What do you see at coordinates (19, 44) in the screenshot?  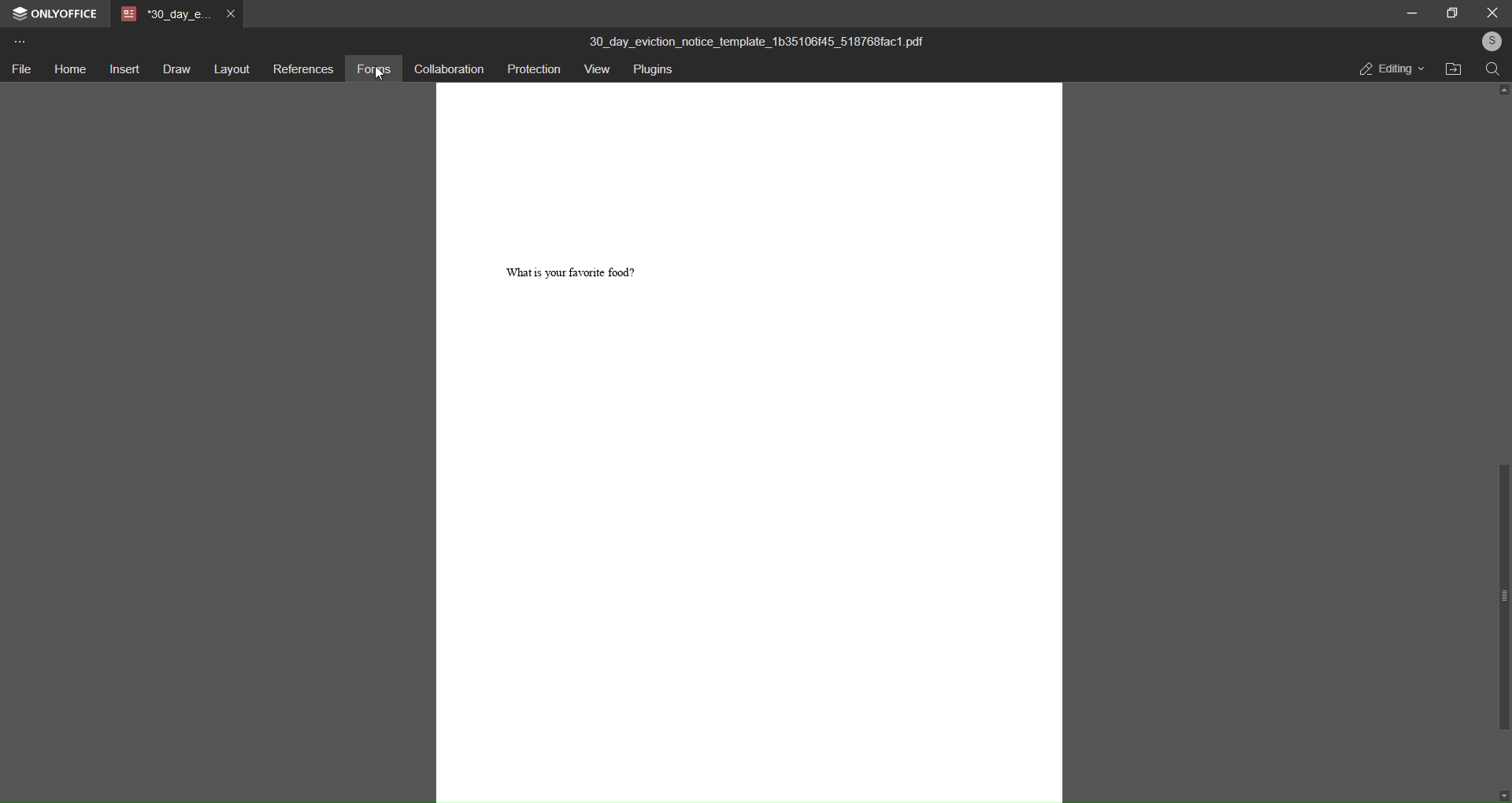 I see `more` at bounding box center [19, 44].